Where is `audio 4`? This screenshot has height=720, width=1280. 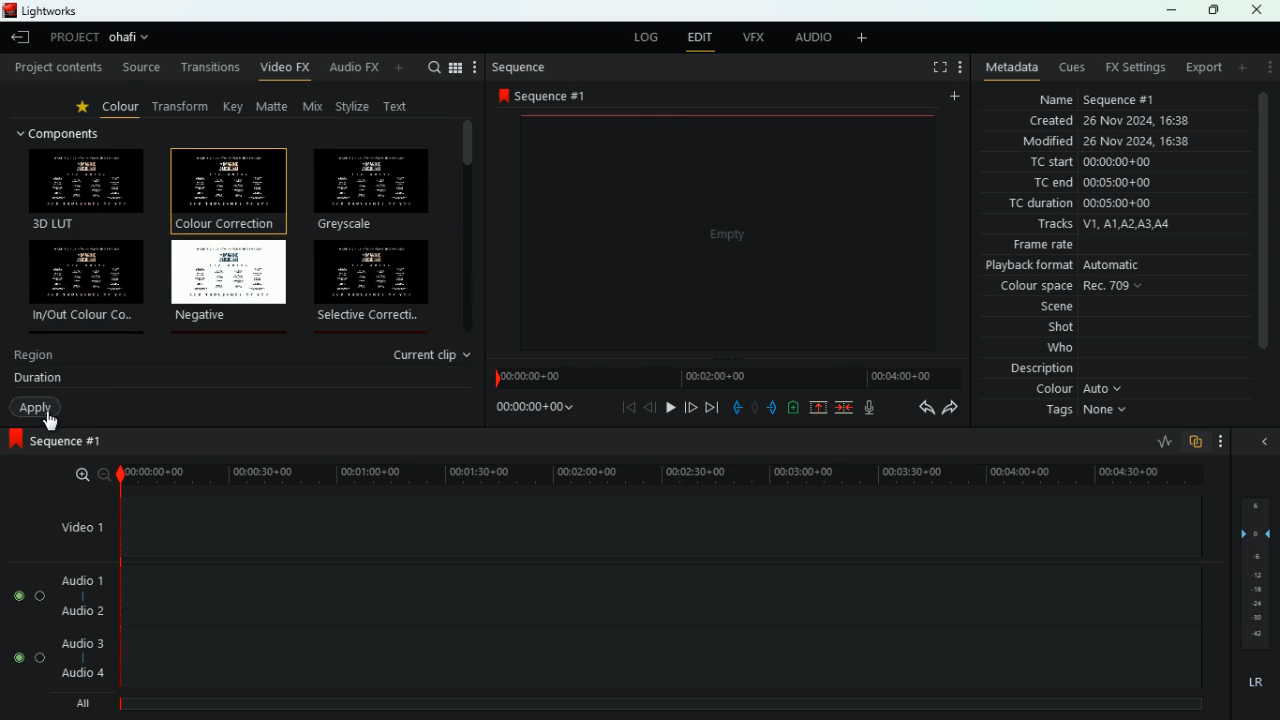 audio 4 is located at coordinates (84, 673).